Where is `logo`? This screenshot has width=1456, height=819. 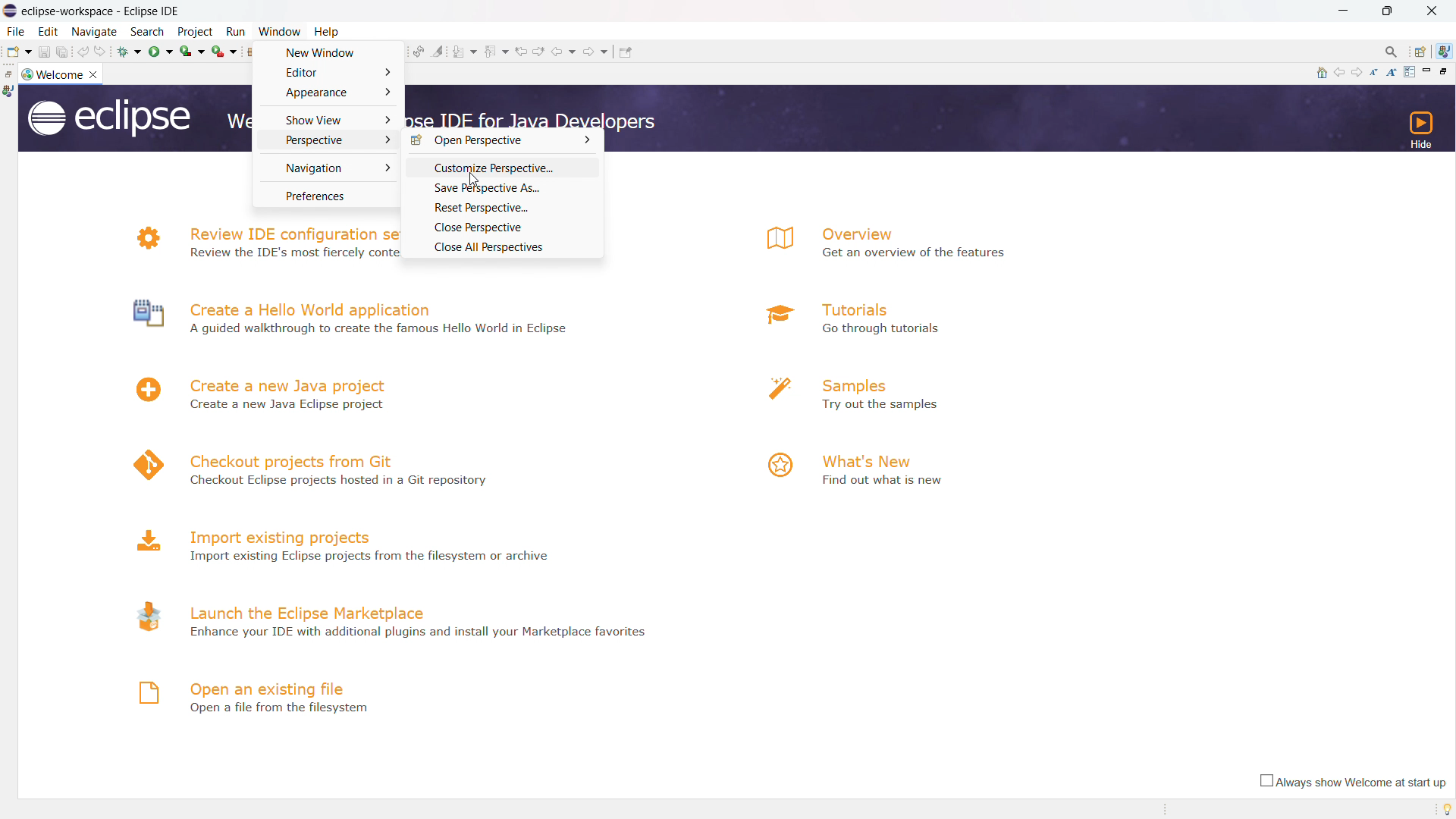
logo is located at coordinates (141, 315).